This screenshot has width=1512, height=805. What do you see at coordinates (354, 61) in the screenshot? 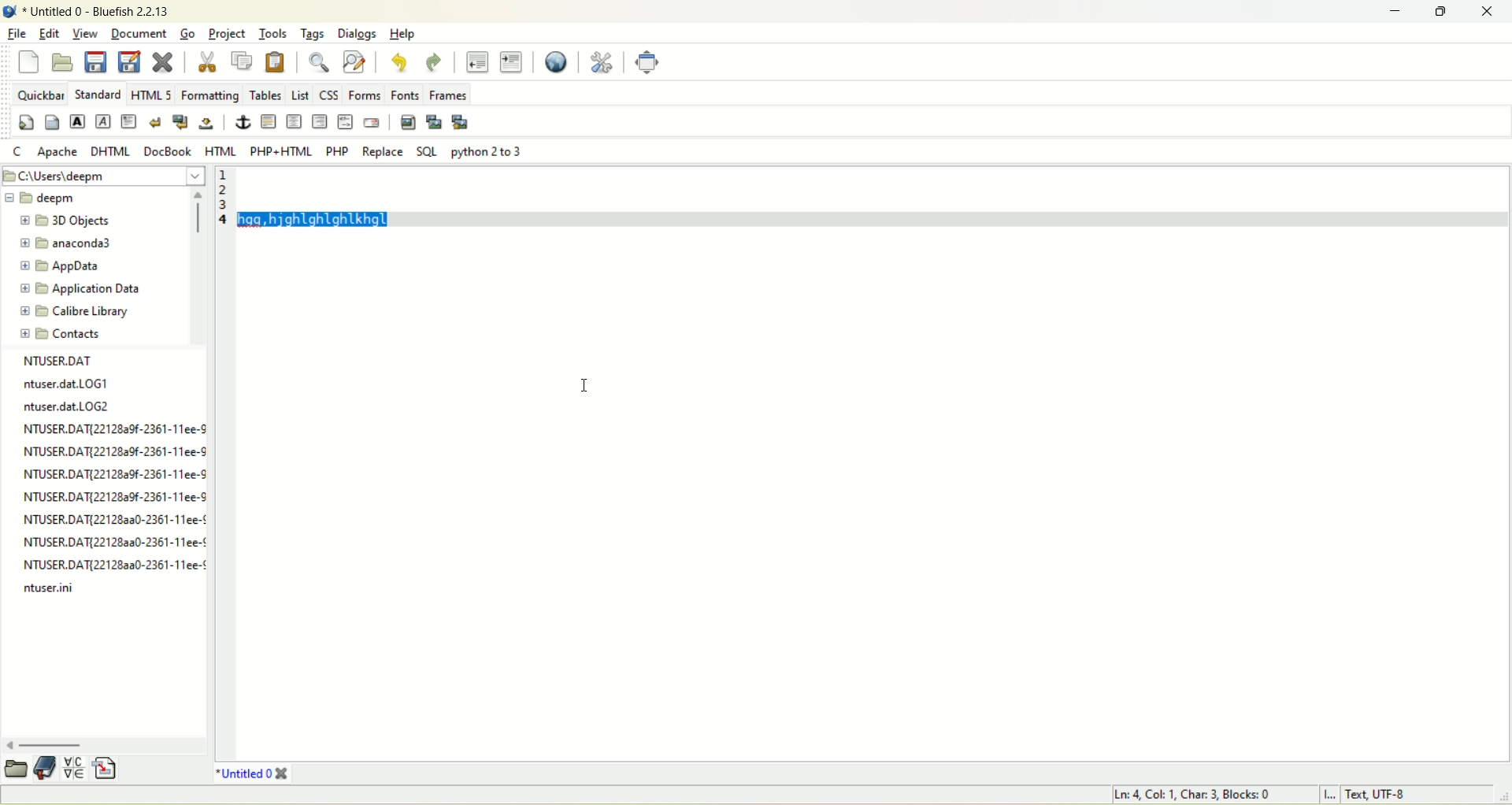
I see `find and replace` at bounding box center [354, 61].